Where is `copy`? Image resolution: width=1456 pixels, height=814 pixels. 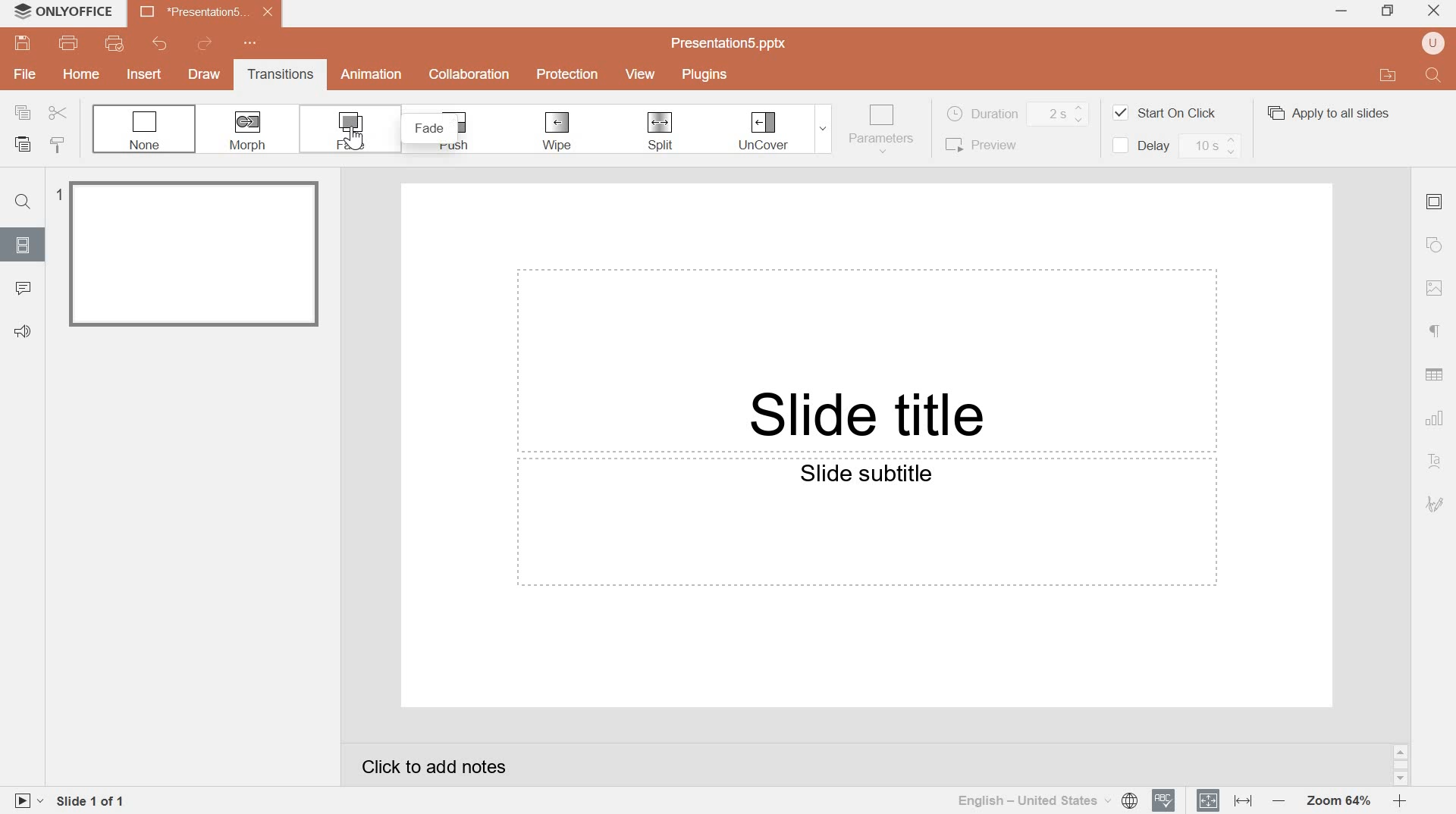
copy is located at coordinates (24, 112).